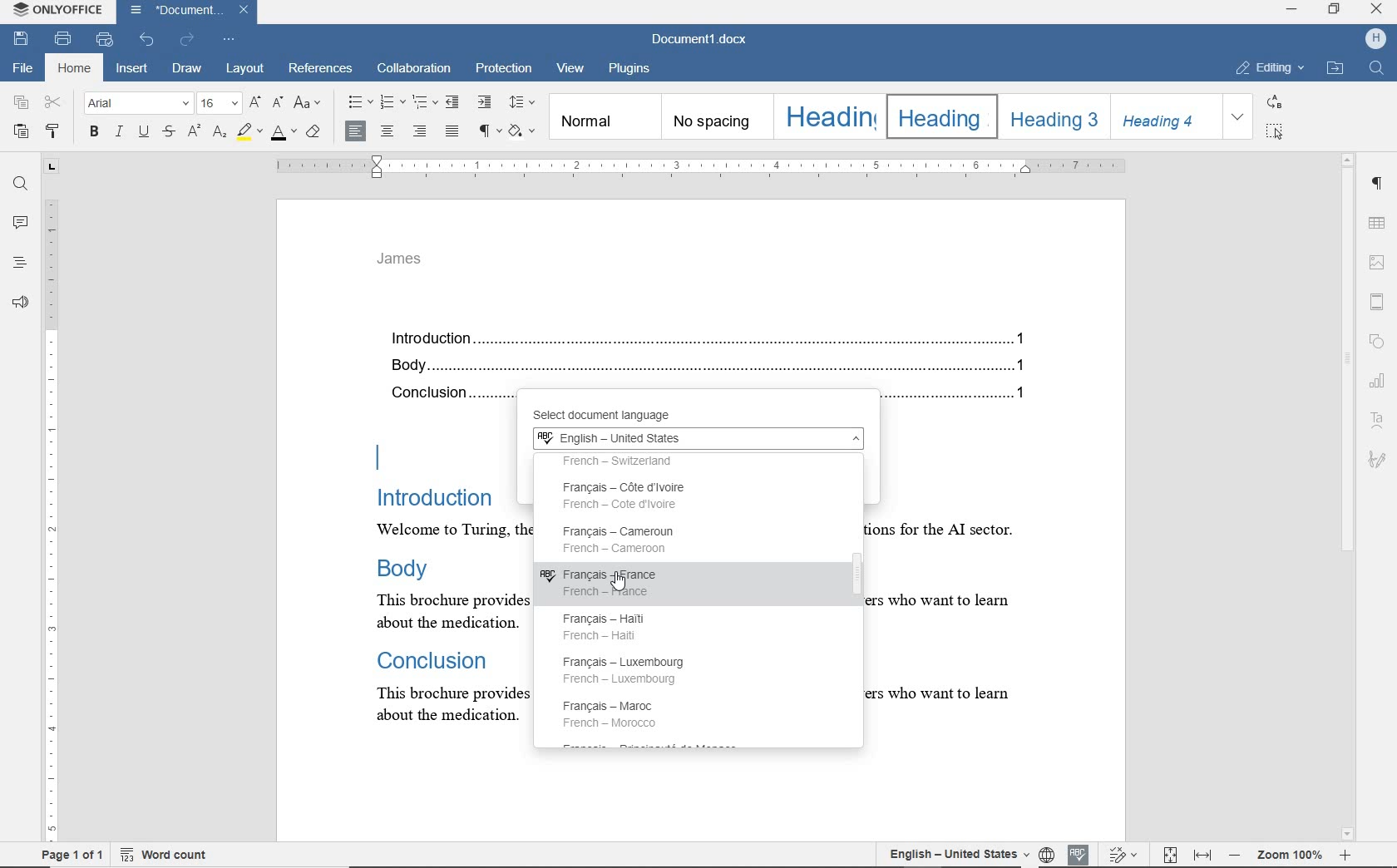  I want to click on profile, so click(1378, 37).